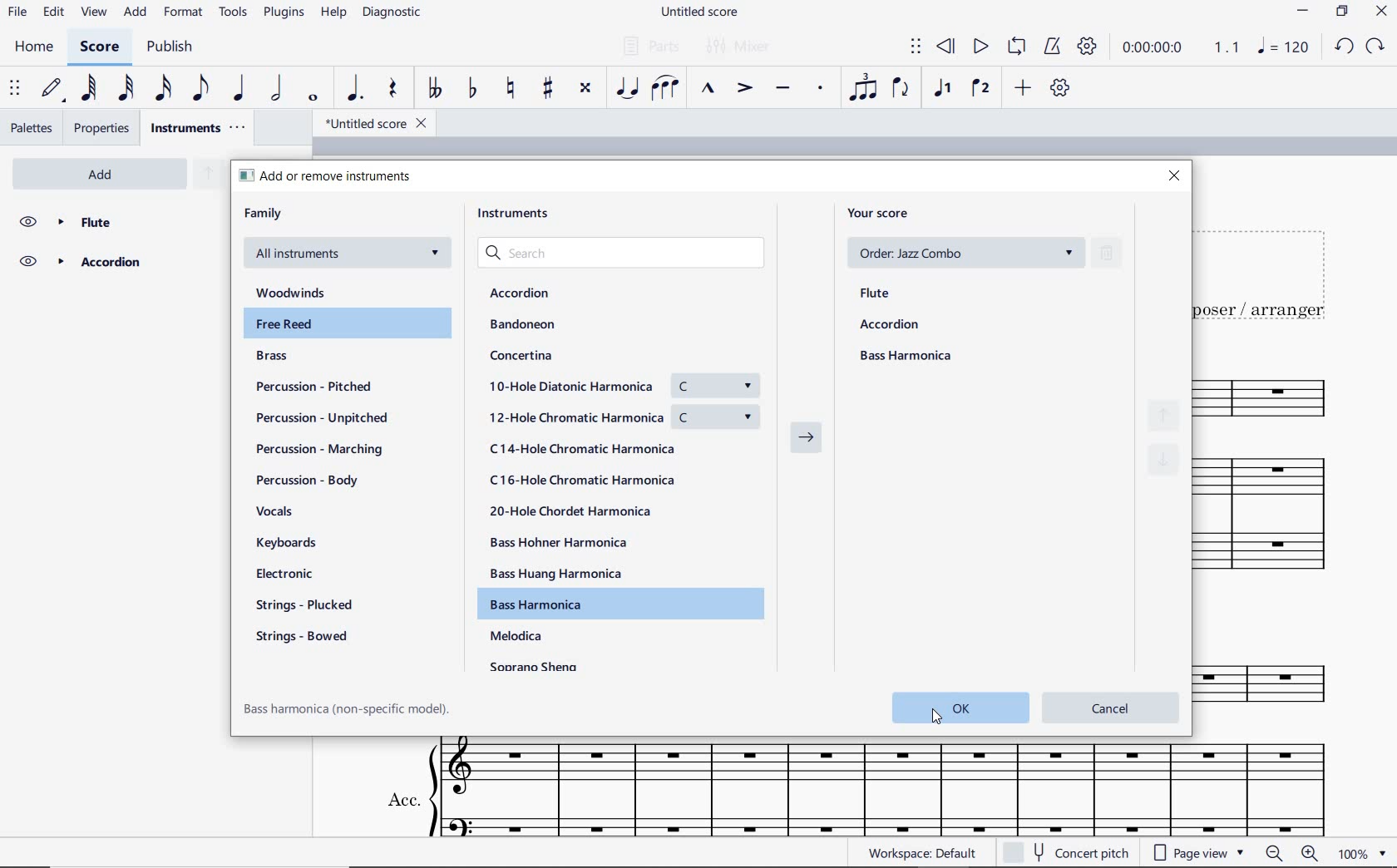 Image resolution: width=1397 pixels, height=868 pixels. What do you see at coordinates (1051, 47) in the screenshot?
I see `metronome` at bounding box center [1051, 47].